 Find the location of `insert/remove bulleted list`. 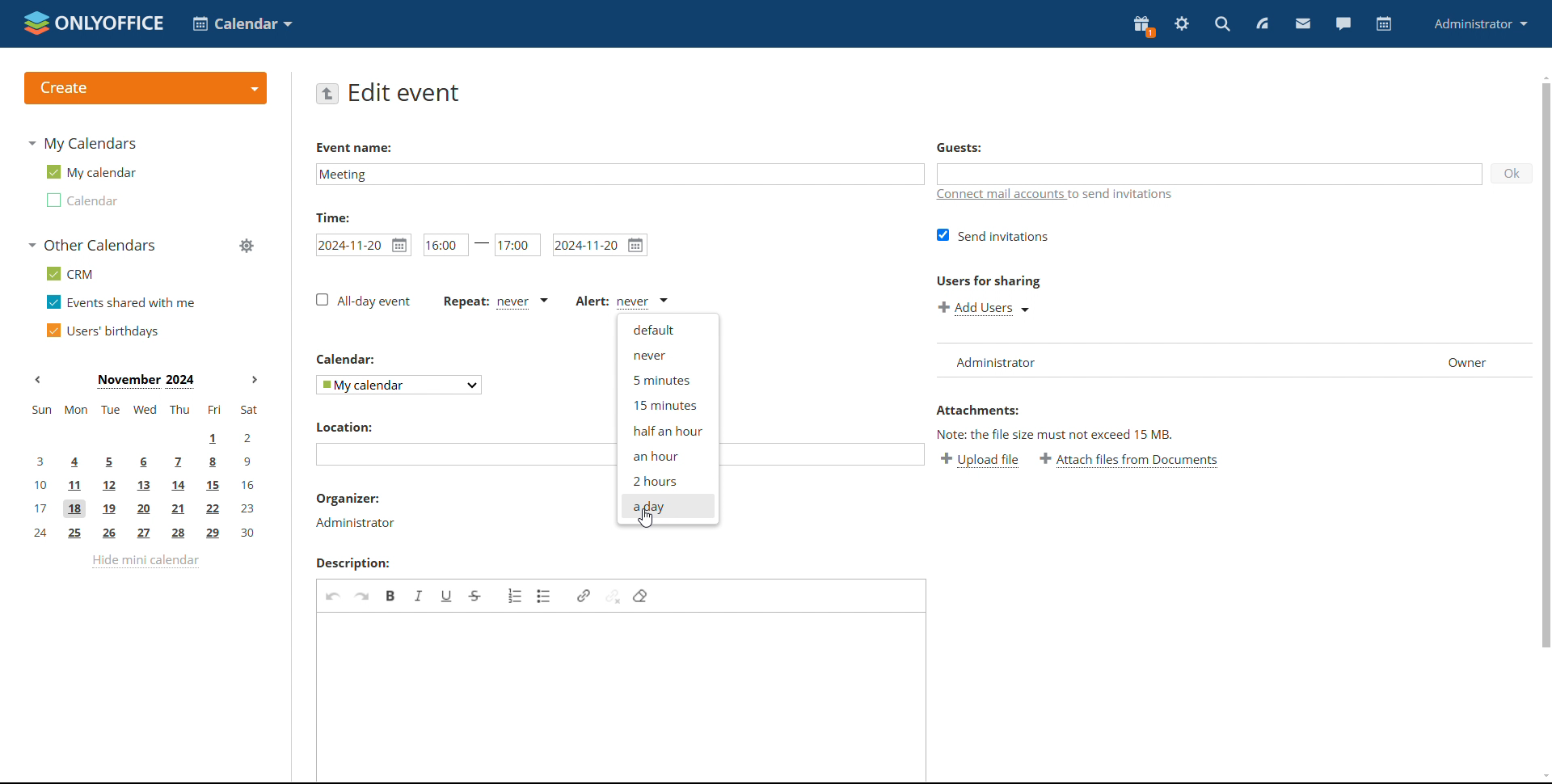

insert/remove bulleted list is located at coordinates (546, 596).